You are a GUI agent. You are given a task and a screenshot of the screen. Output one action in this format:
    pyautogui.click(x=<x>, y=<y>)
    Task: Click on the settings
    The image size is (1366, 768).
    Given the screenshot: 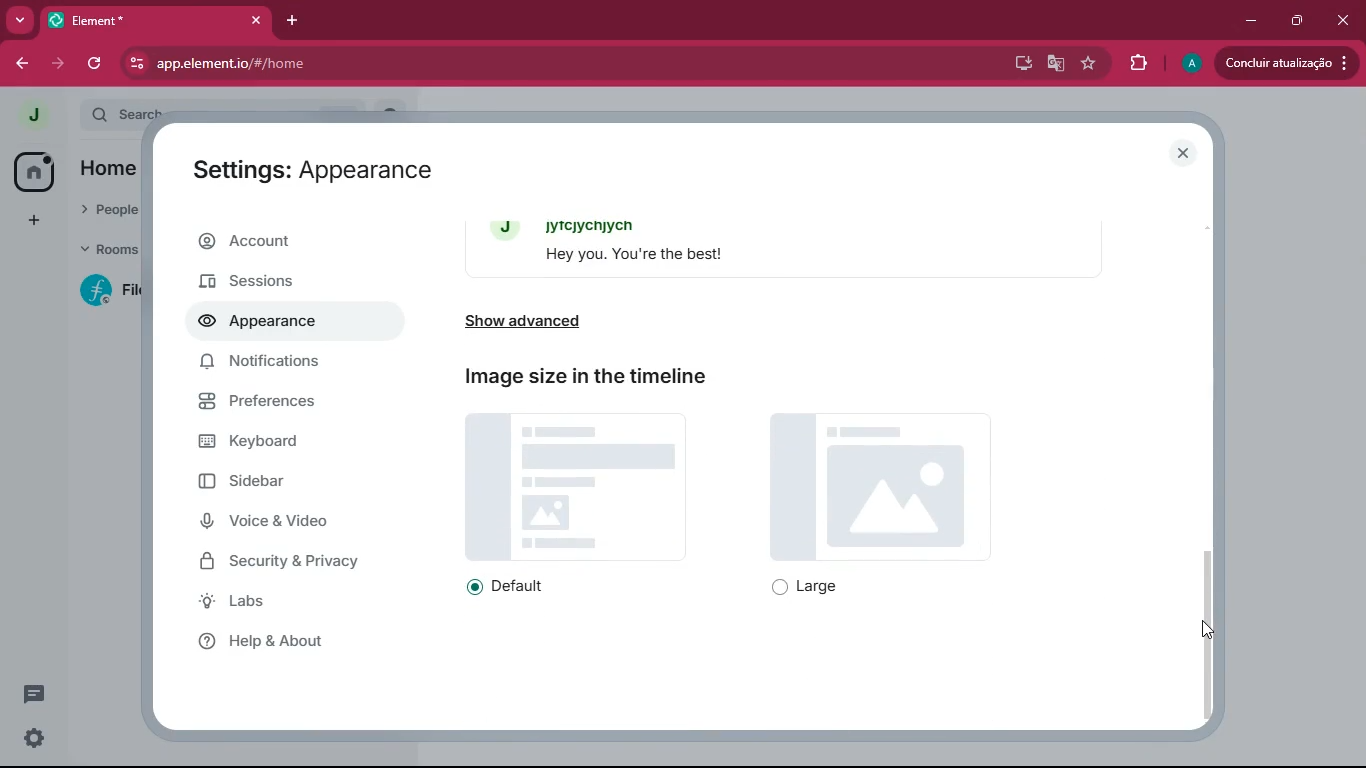 What is the action you would take?
    pyautogui.click(x=33, y=737)
    